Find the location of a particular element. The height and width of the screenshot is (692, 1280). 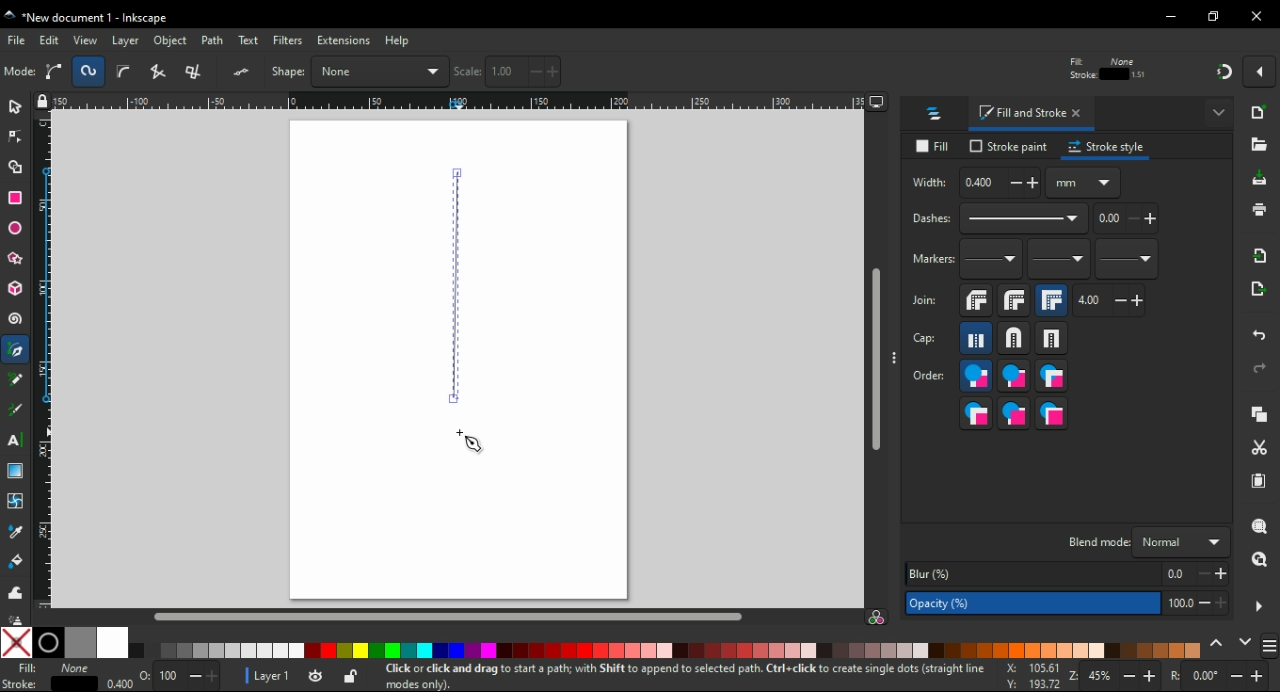

pencil is located at coordinates (16, 379).